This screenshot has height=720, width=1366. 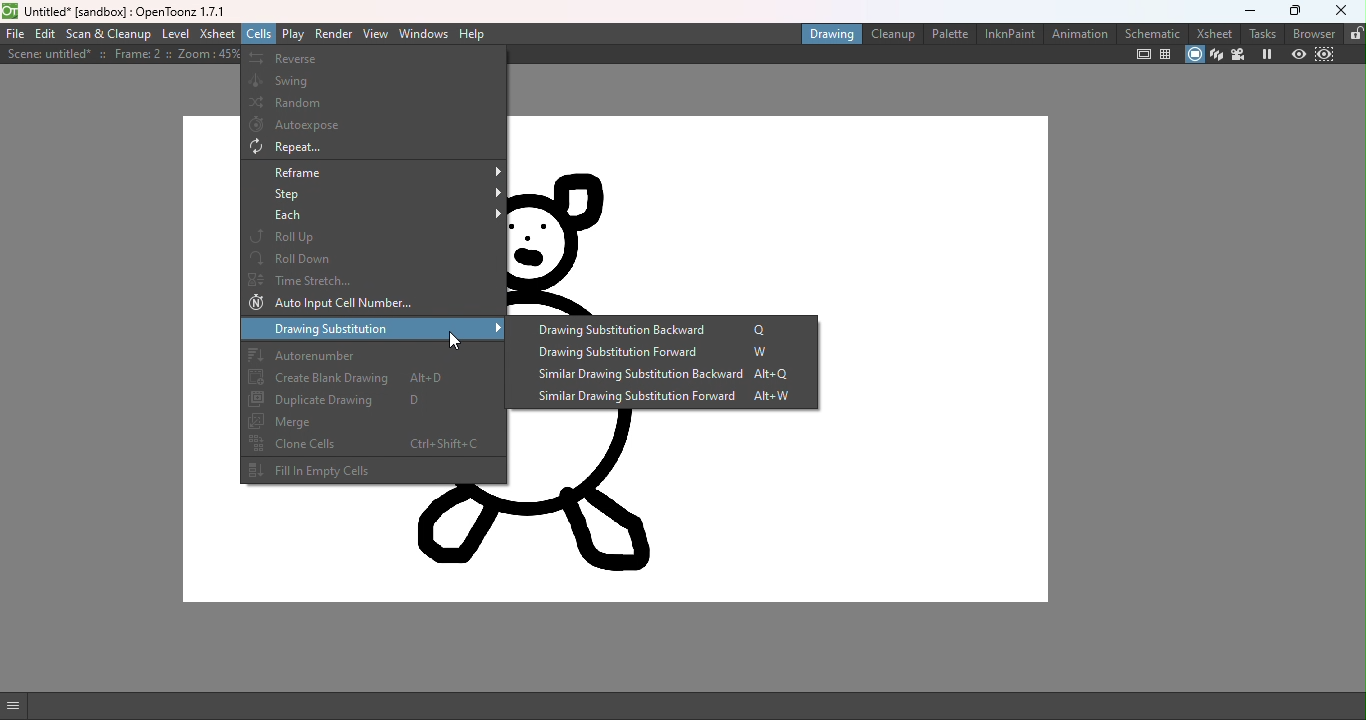 What do you see at coordinates (295, 34) in the screenshot?
I see `Play` at bounding box center [295, 34].